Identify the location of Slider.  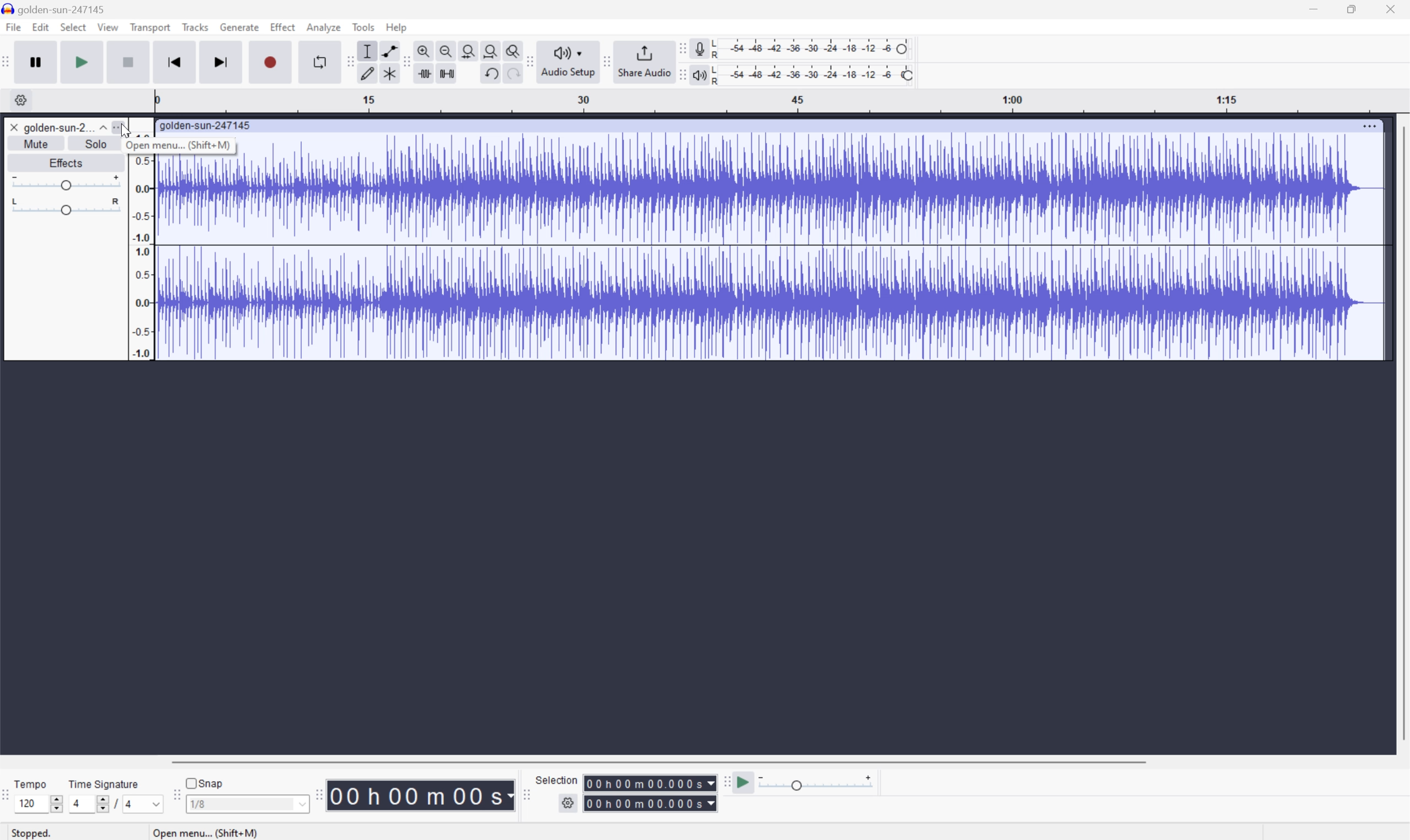
(63, 183).